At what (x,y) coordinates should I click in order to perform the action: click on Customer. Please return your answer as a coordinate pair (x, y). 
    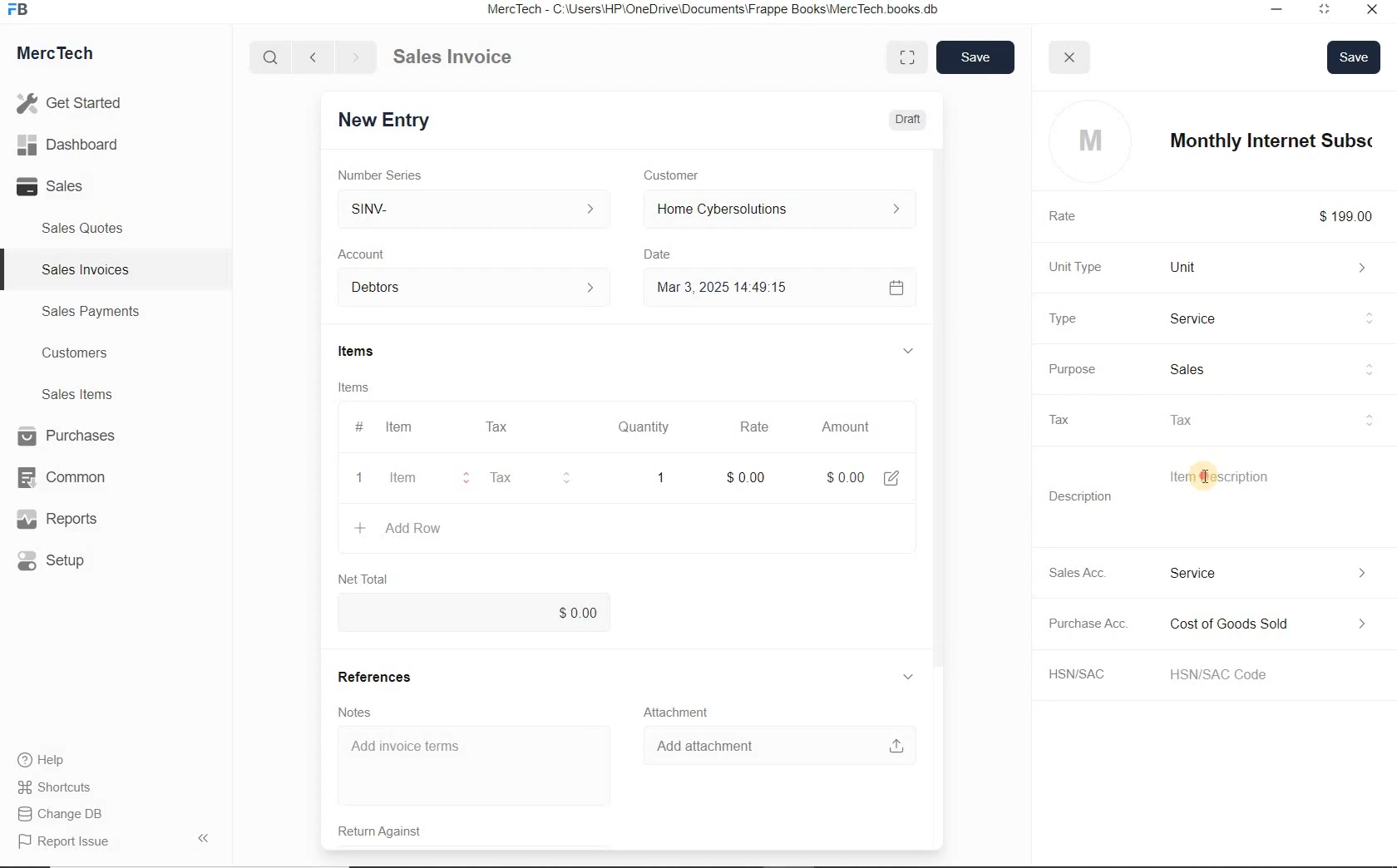
    Looking at the image, I should click on (680, 175).